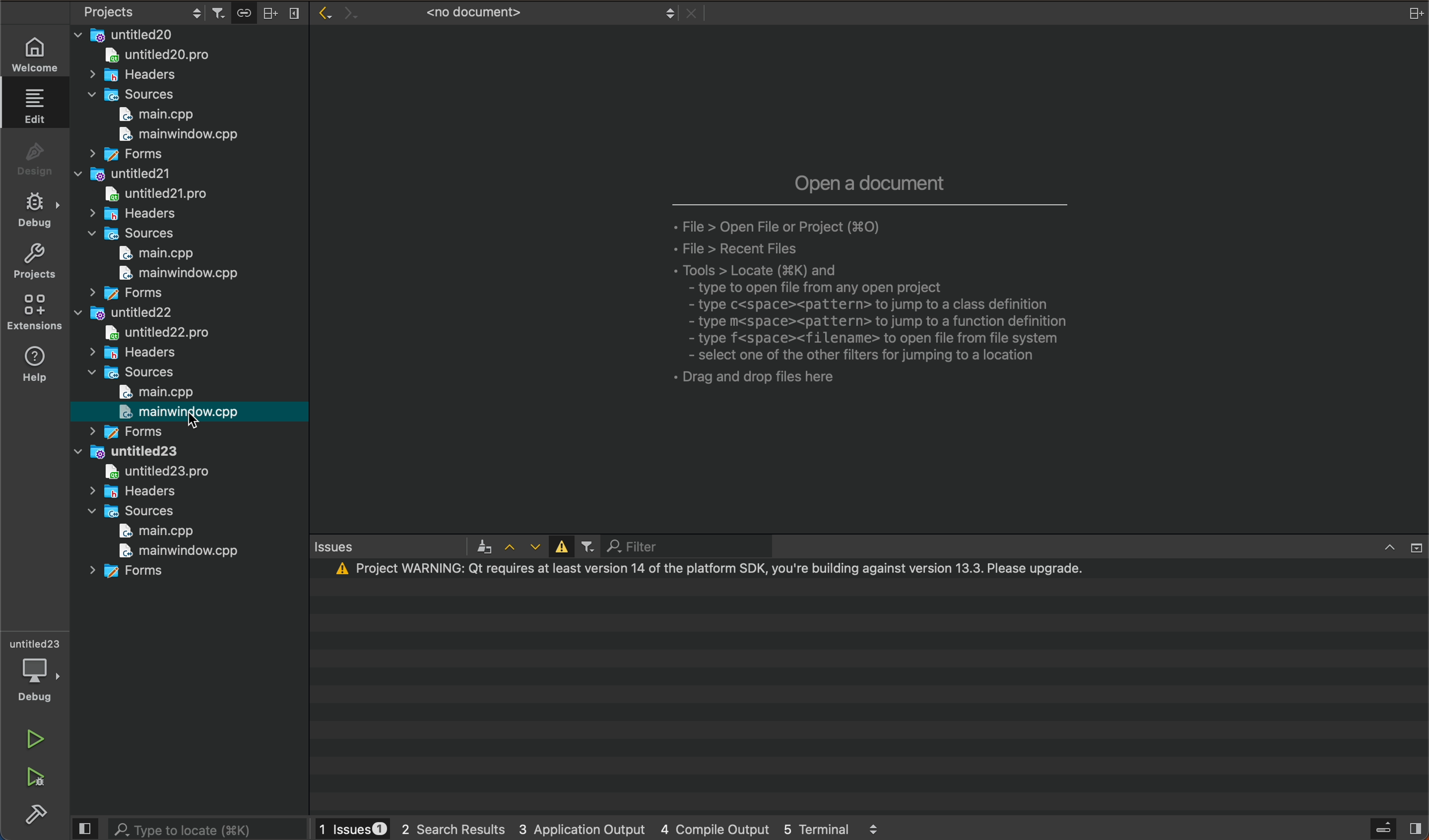  What do you see at coordinates (147, 473) in the screenshot?
I see `untitled23 pro` at bounding box center [147, 473].